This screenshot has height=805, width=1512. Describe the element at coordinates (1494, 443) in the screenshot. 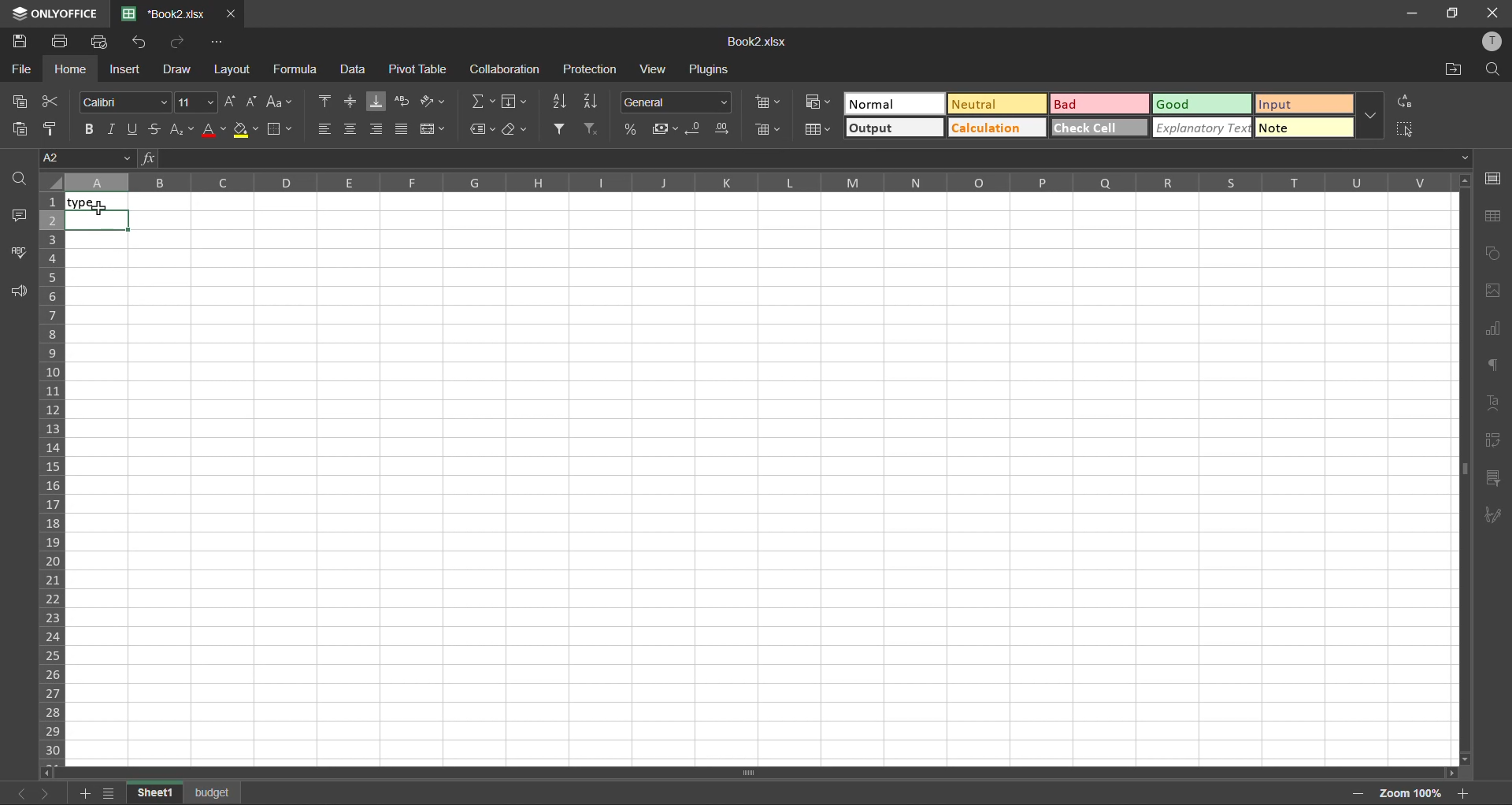

I see `pivot table` at that location.